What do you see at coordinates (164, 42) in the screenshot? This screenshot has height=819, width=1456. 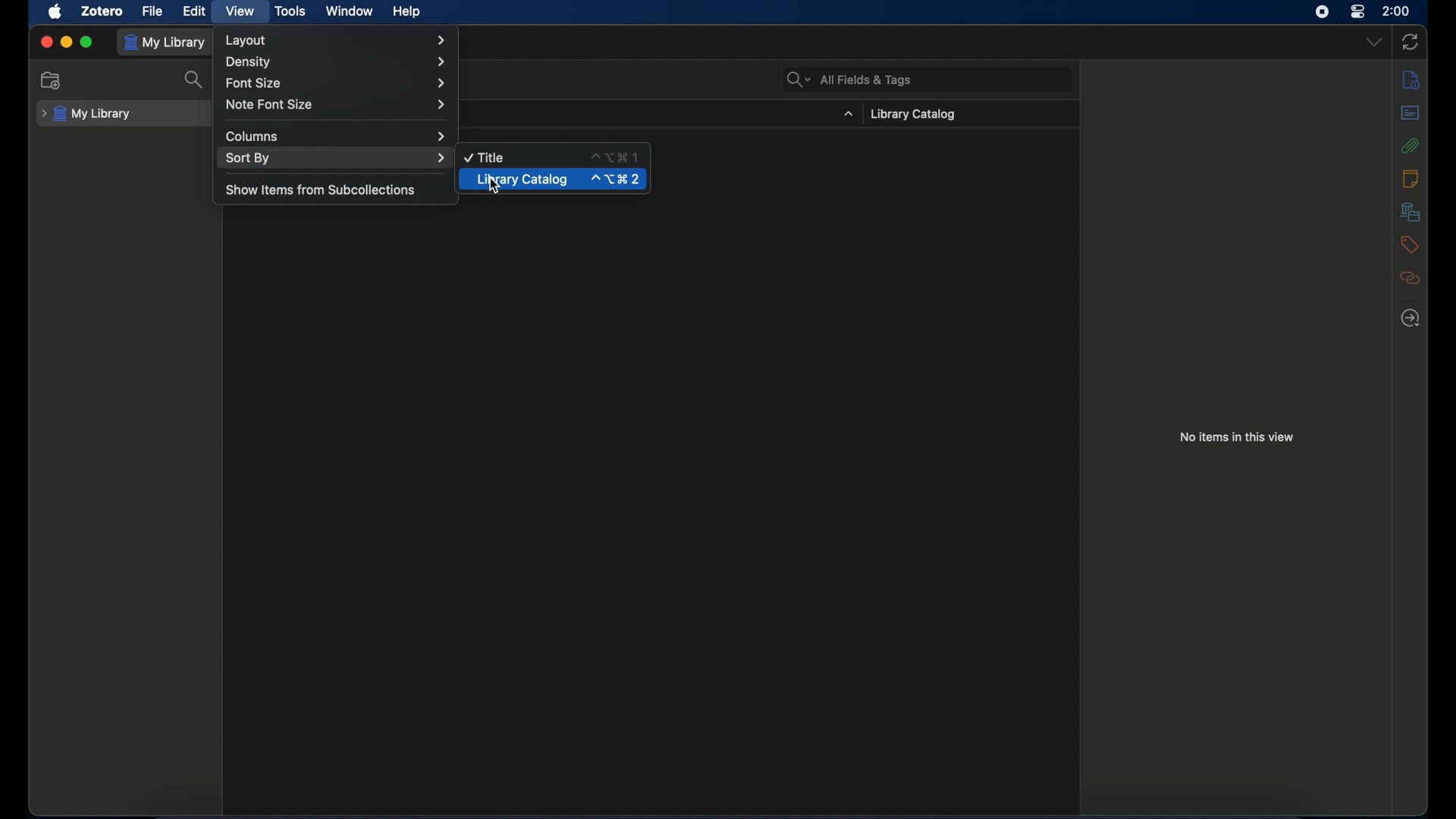 I see `my library` at bounding box center [164, 42].